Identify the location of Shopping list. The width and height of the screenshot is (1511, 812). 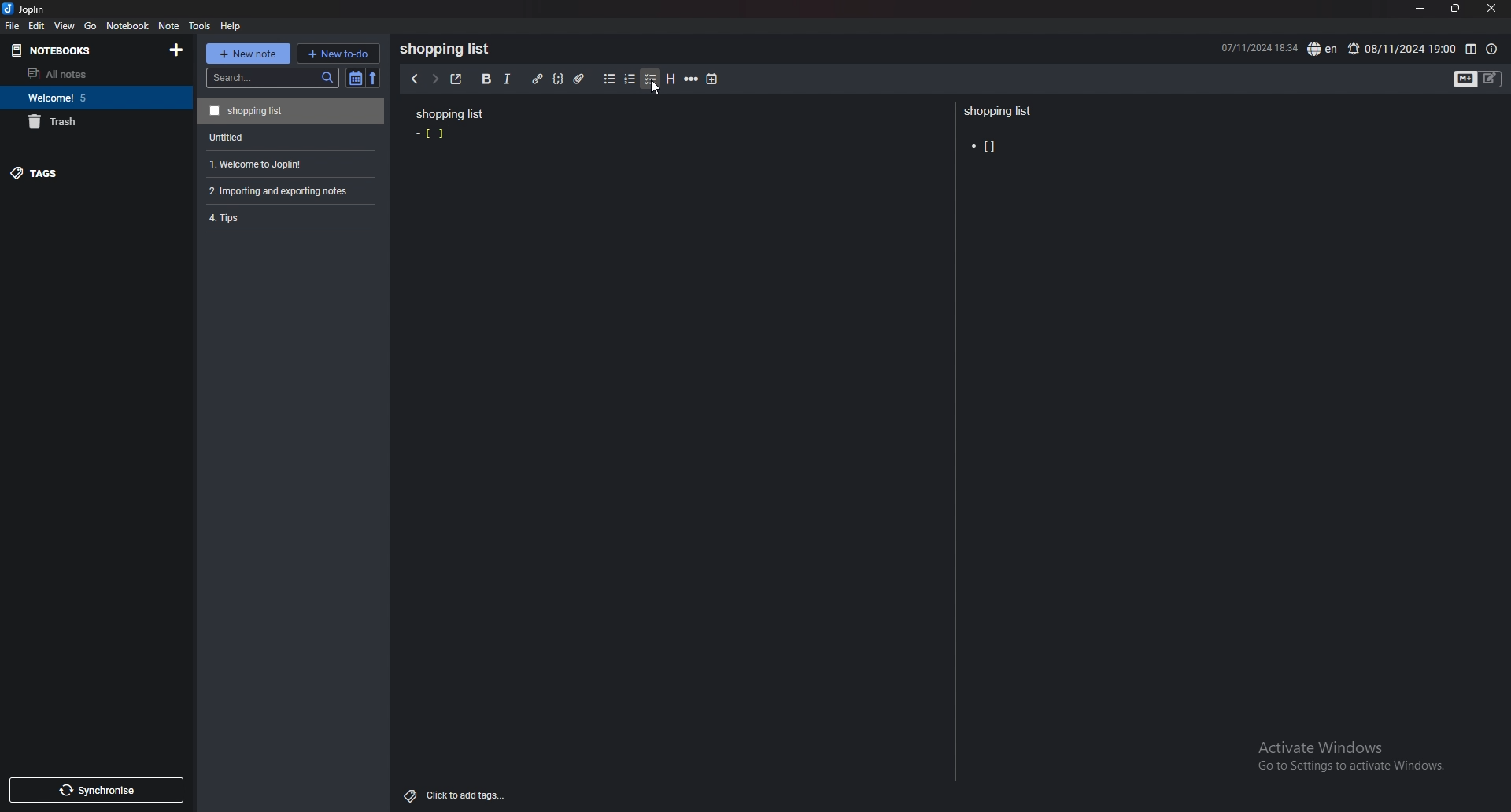
(999, 112).